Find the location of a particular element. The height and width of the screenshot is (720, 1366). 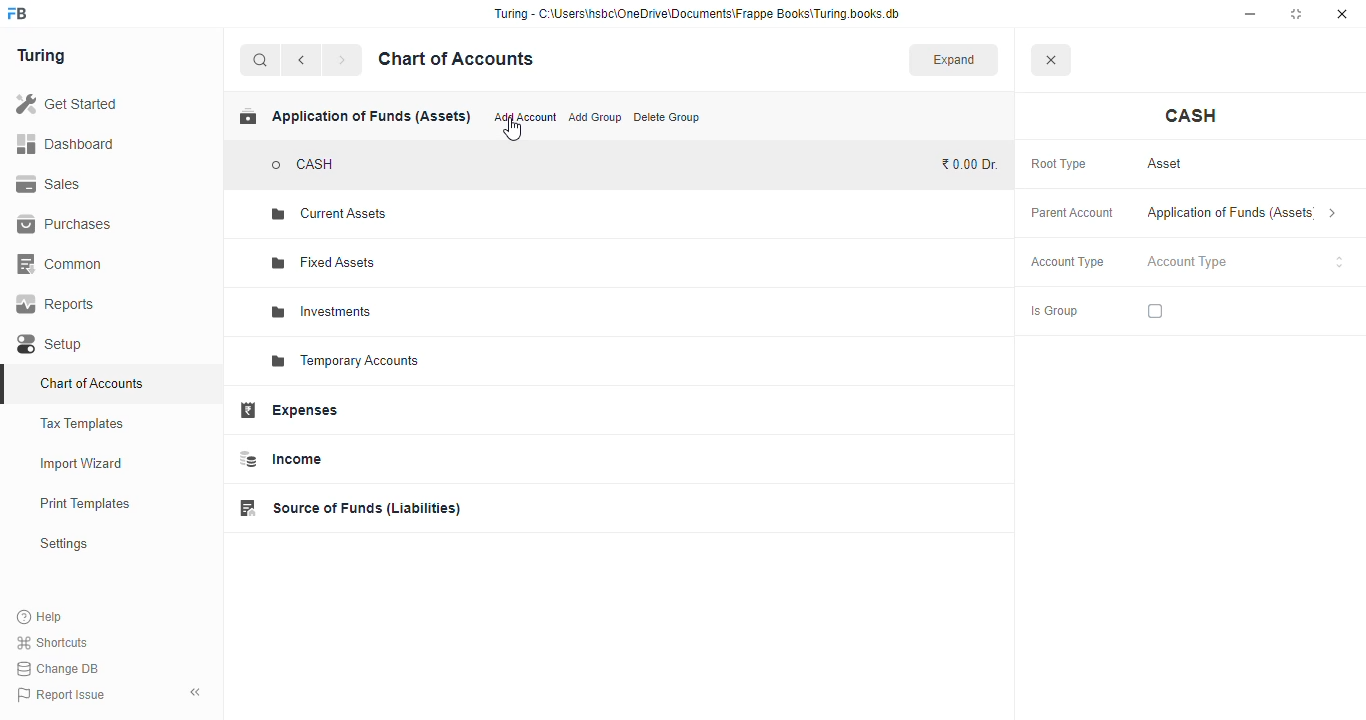

checkbox is located at coordinates (1155, 311).